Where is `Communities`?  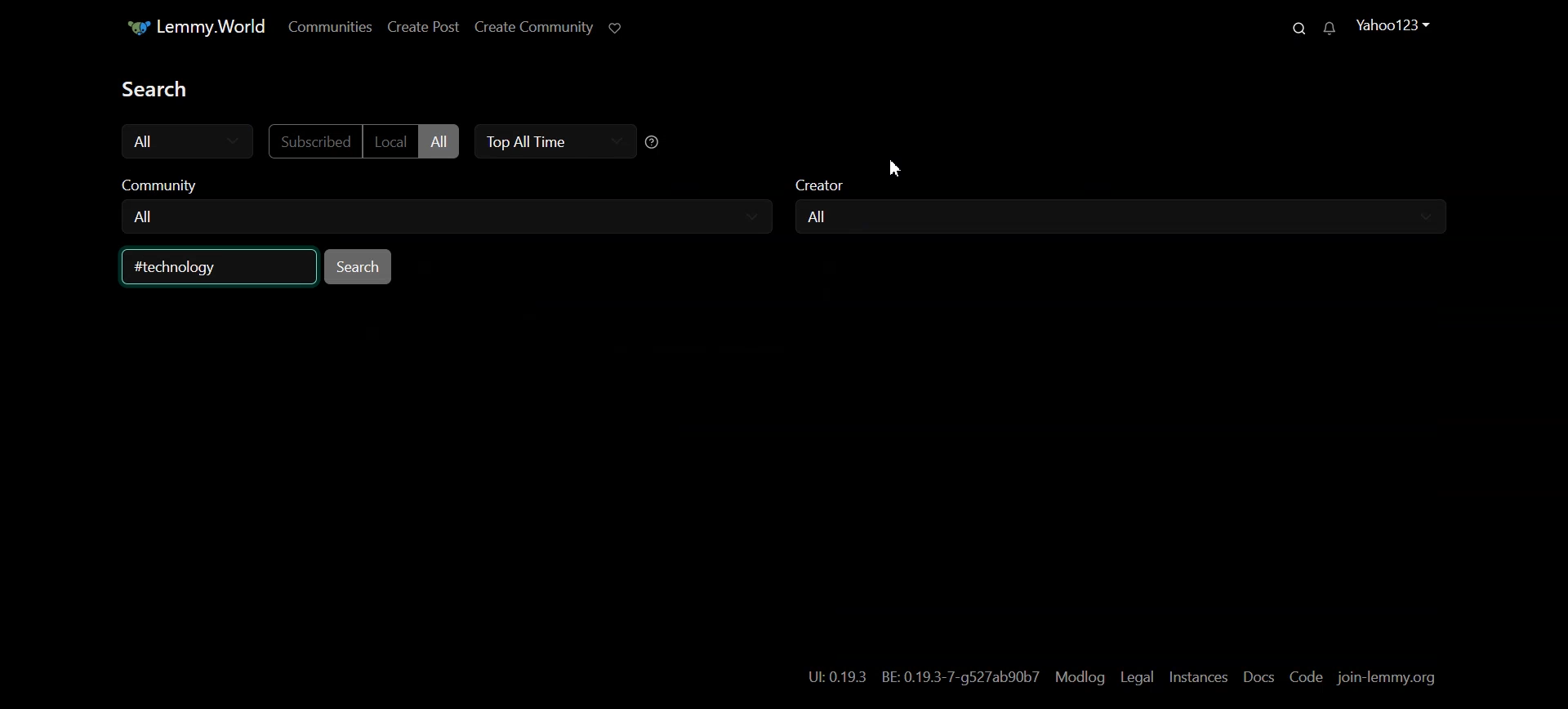
Communities is located at coordinates (330, 27).